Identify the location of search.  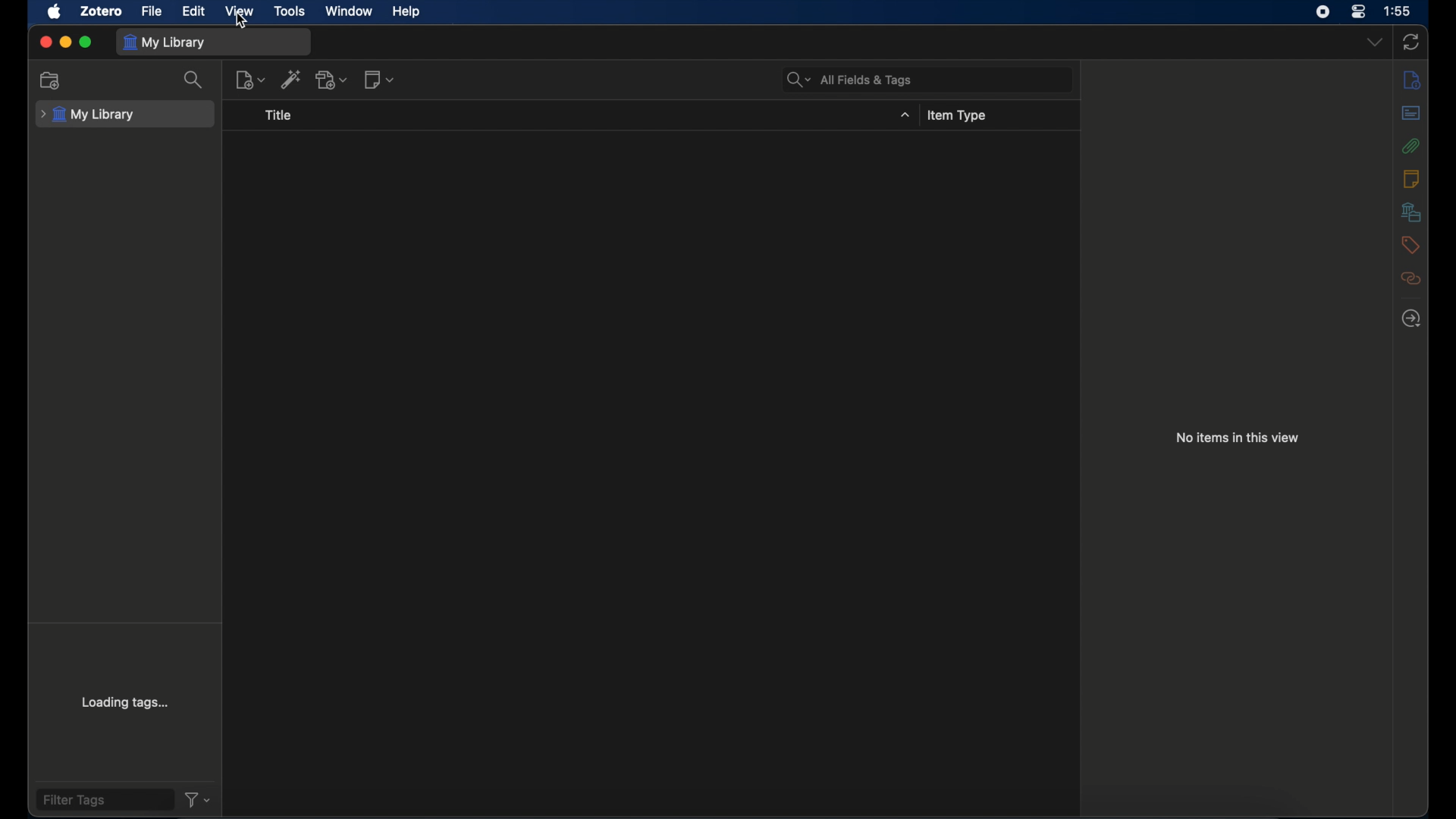
(196, 80).